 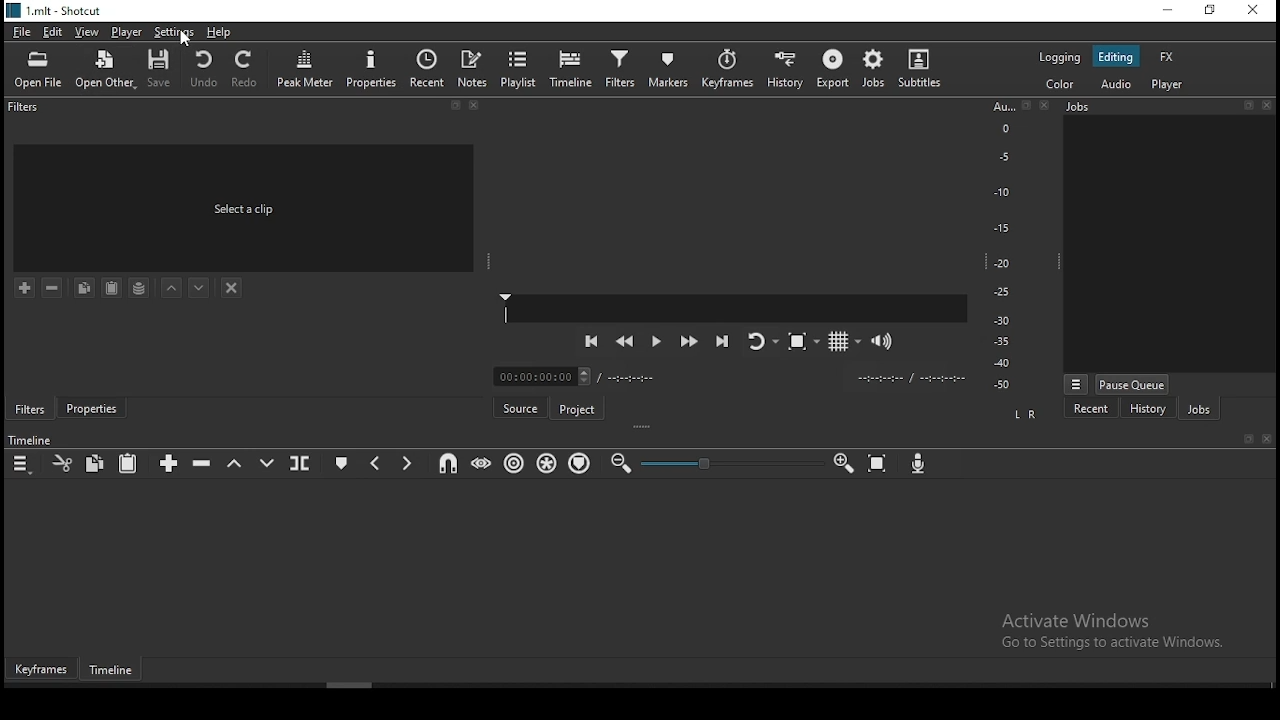 What do you see at coordinates (474, 68) in the screenshot?
I see `notes` at bounding box center [474, 68].